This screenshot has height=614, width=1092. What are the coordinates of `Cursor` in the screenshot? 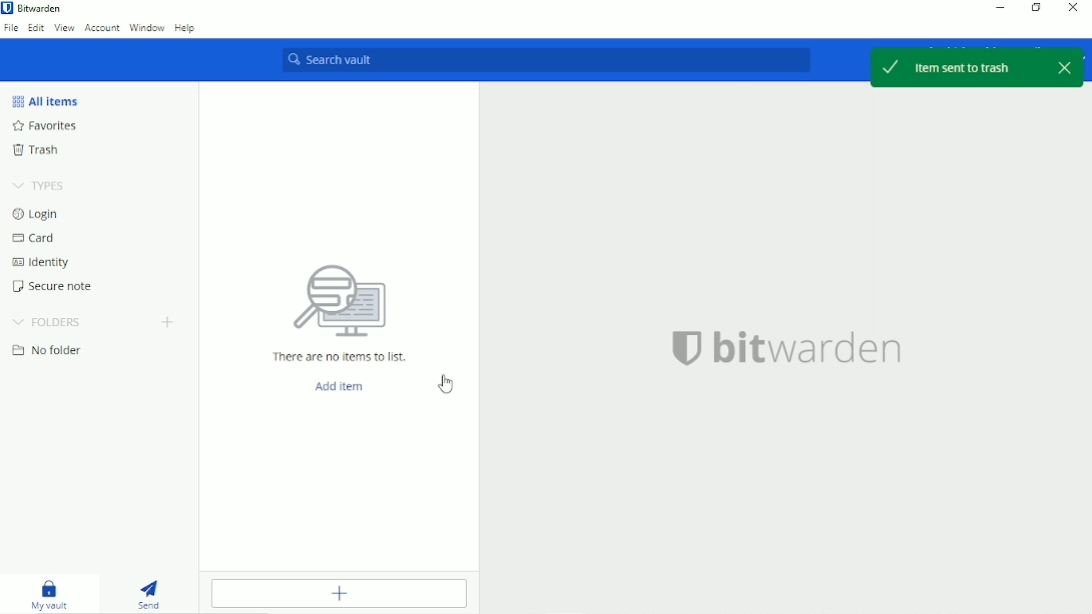 It's located at (447, 384).